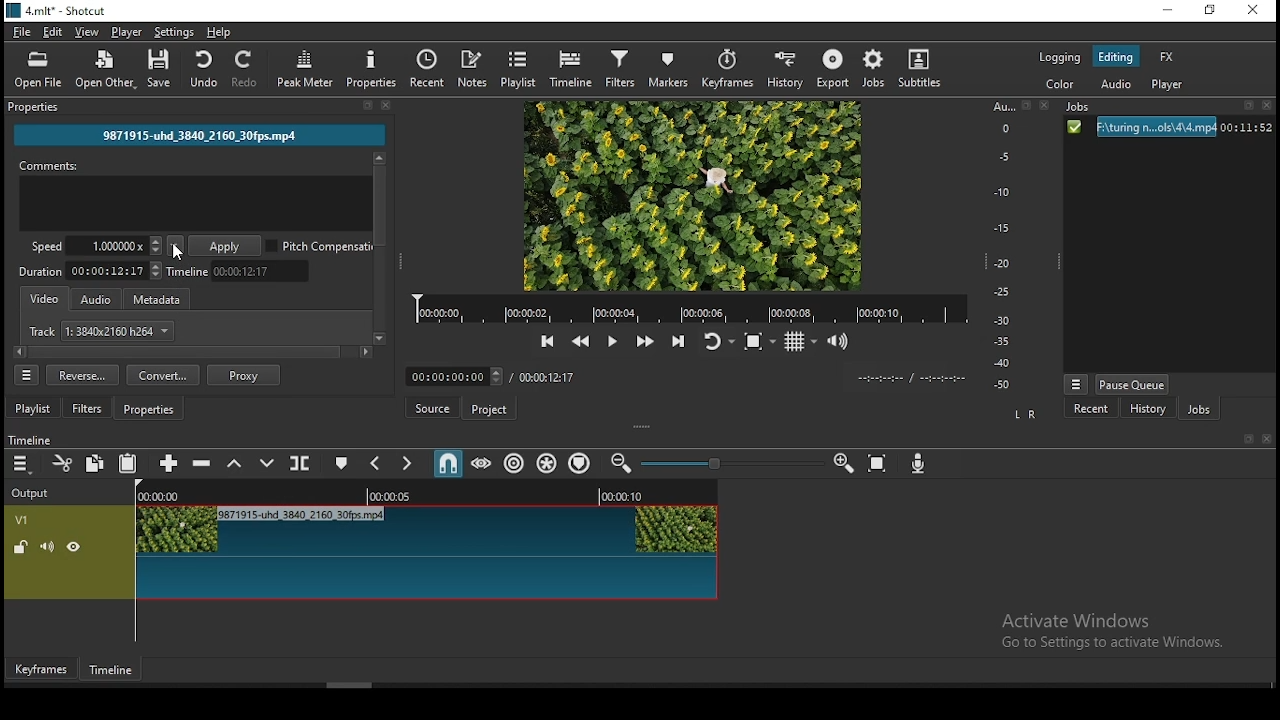  Describe the element at coordinates (579, 462) in the screenshot. I see `ripple markers` at that location.